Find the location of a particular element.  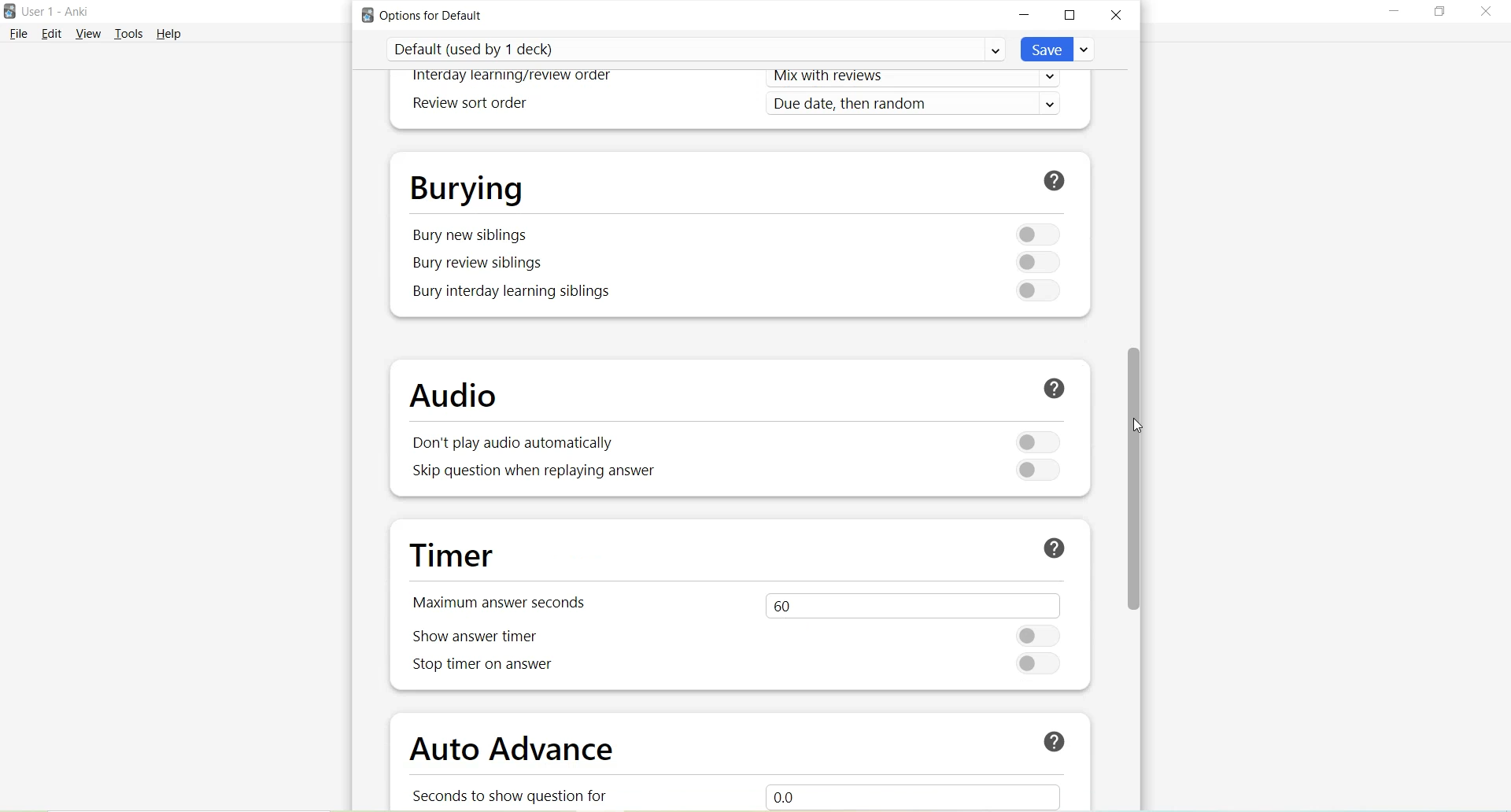

Toggle is located at coordinates (1033, 233).